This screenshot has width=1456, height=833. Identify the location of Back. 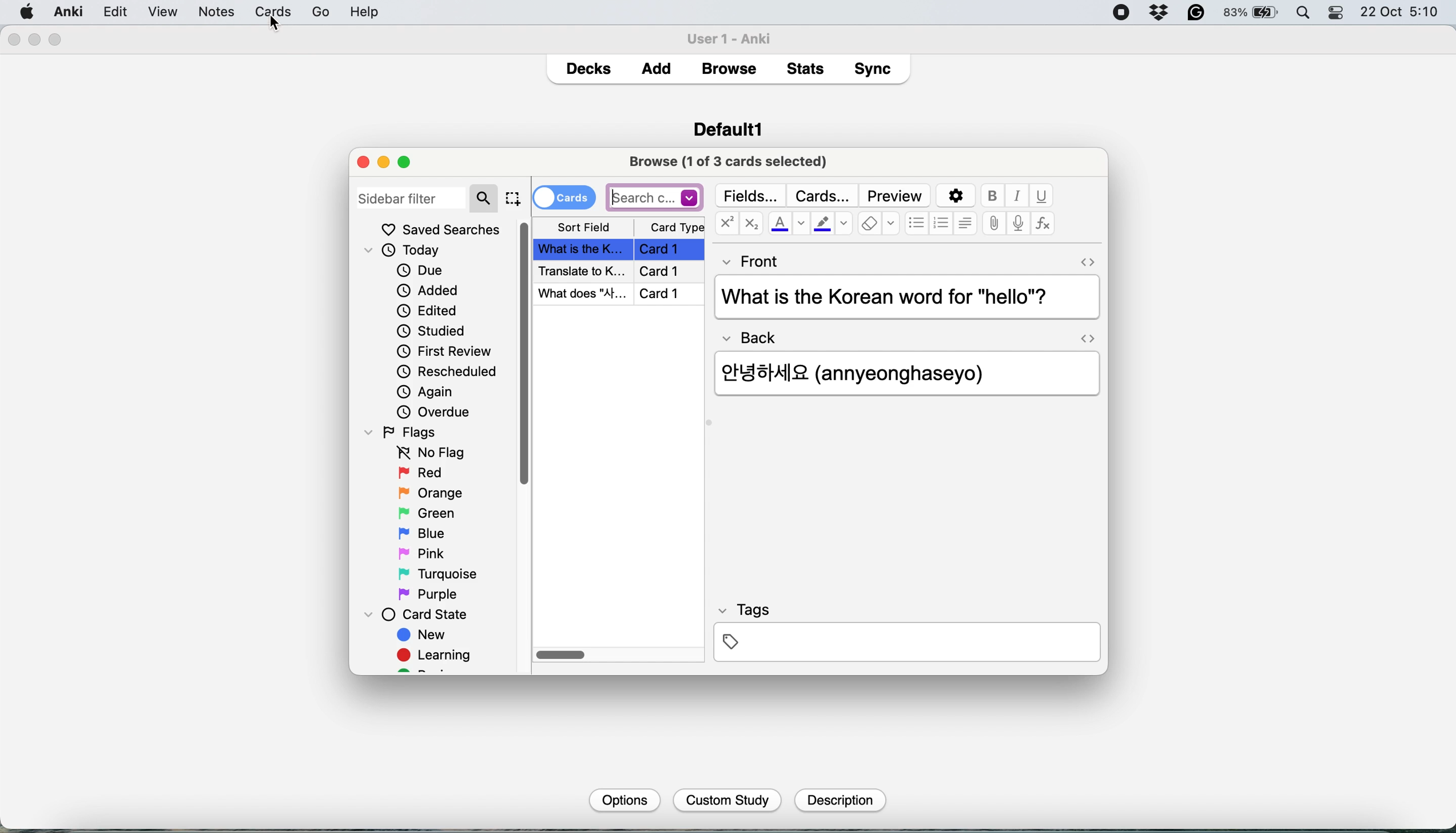
(755, 334).